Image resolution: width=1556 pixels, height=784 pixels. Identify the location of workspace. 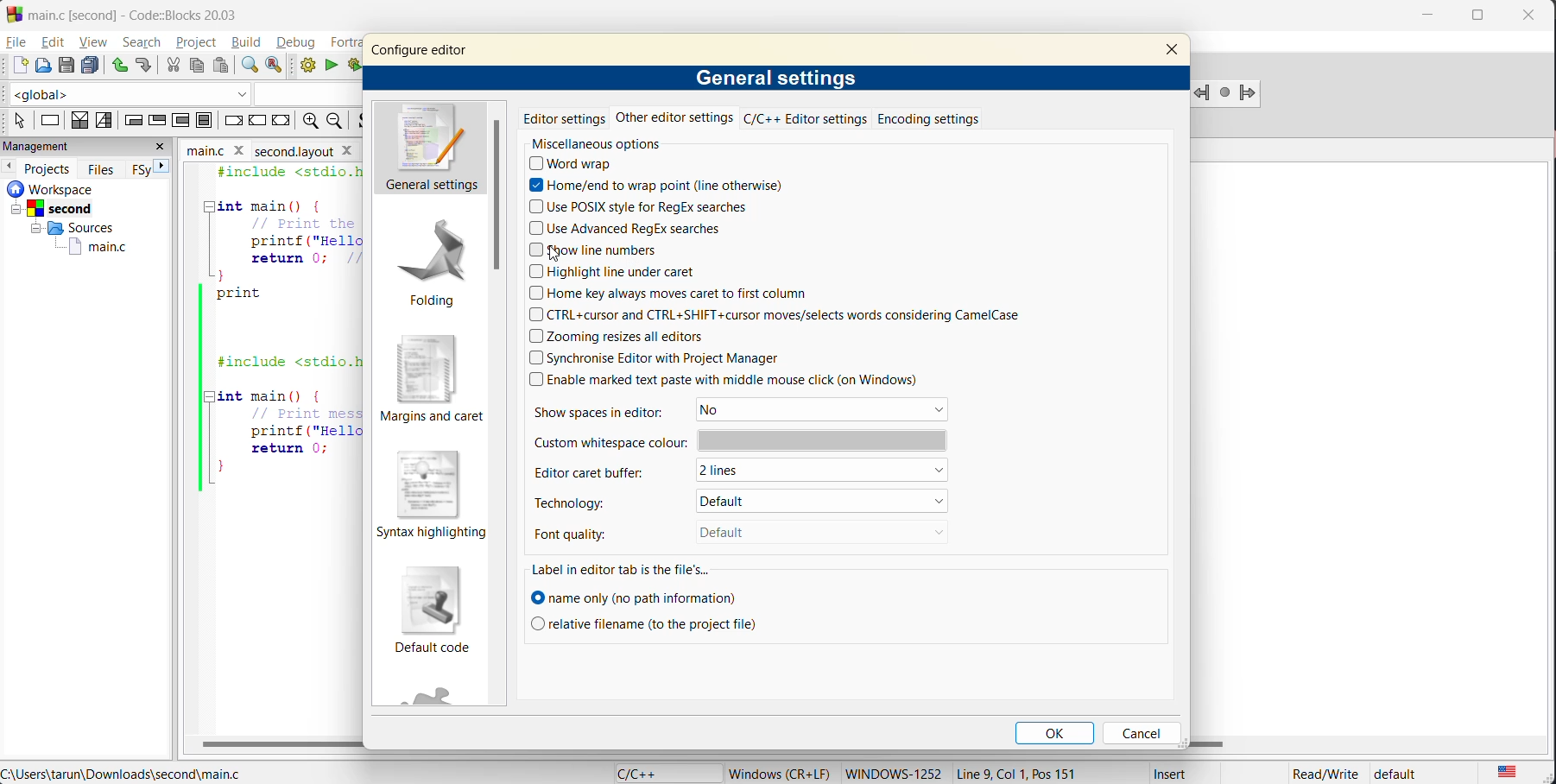
(78, 188).